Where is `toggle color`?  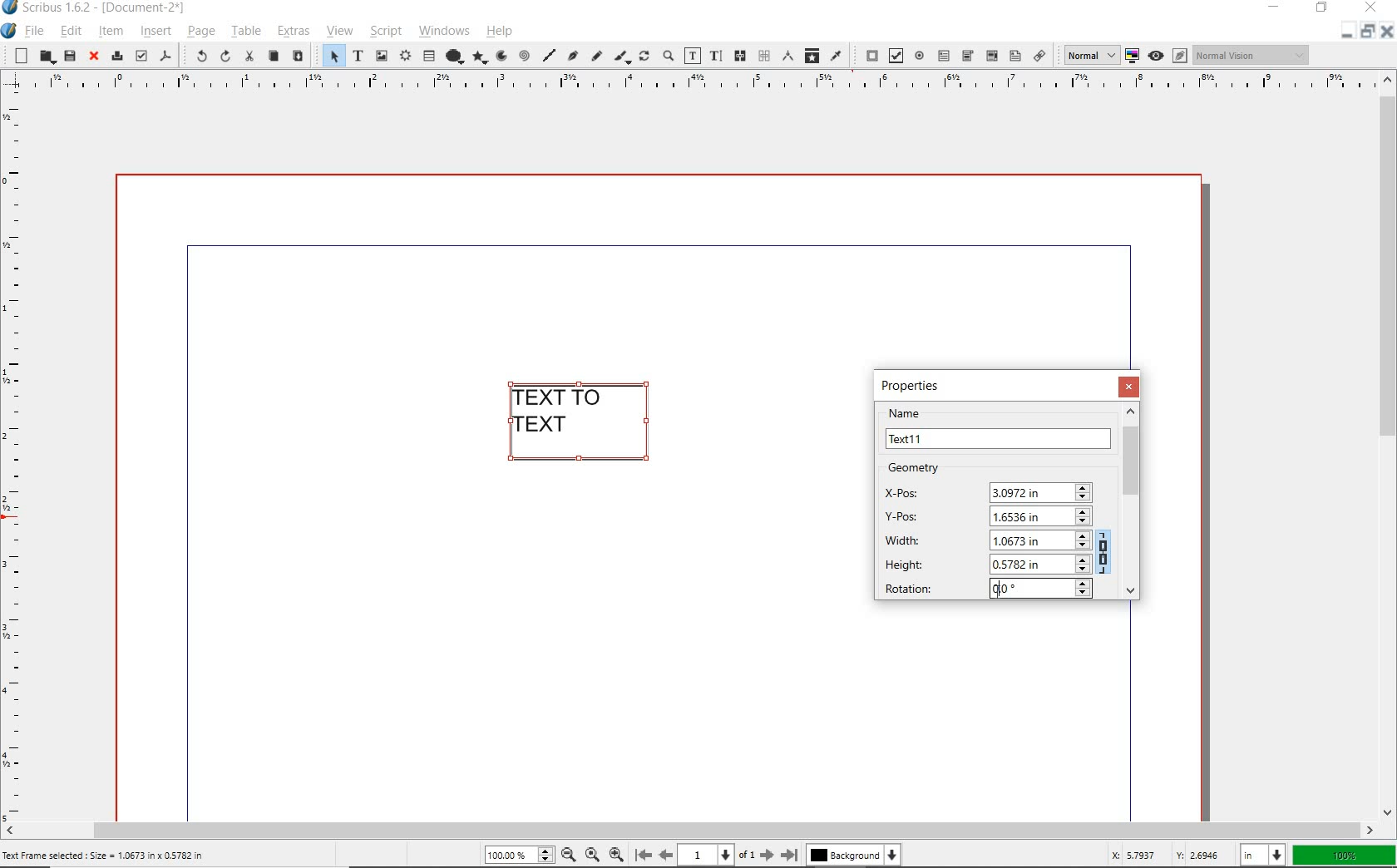 toggle color is located at coordinates (1134, 55).